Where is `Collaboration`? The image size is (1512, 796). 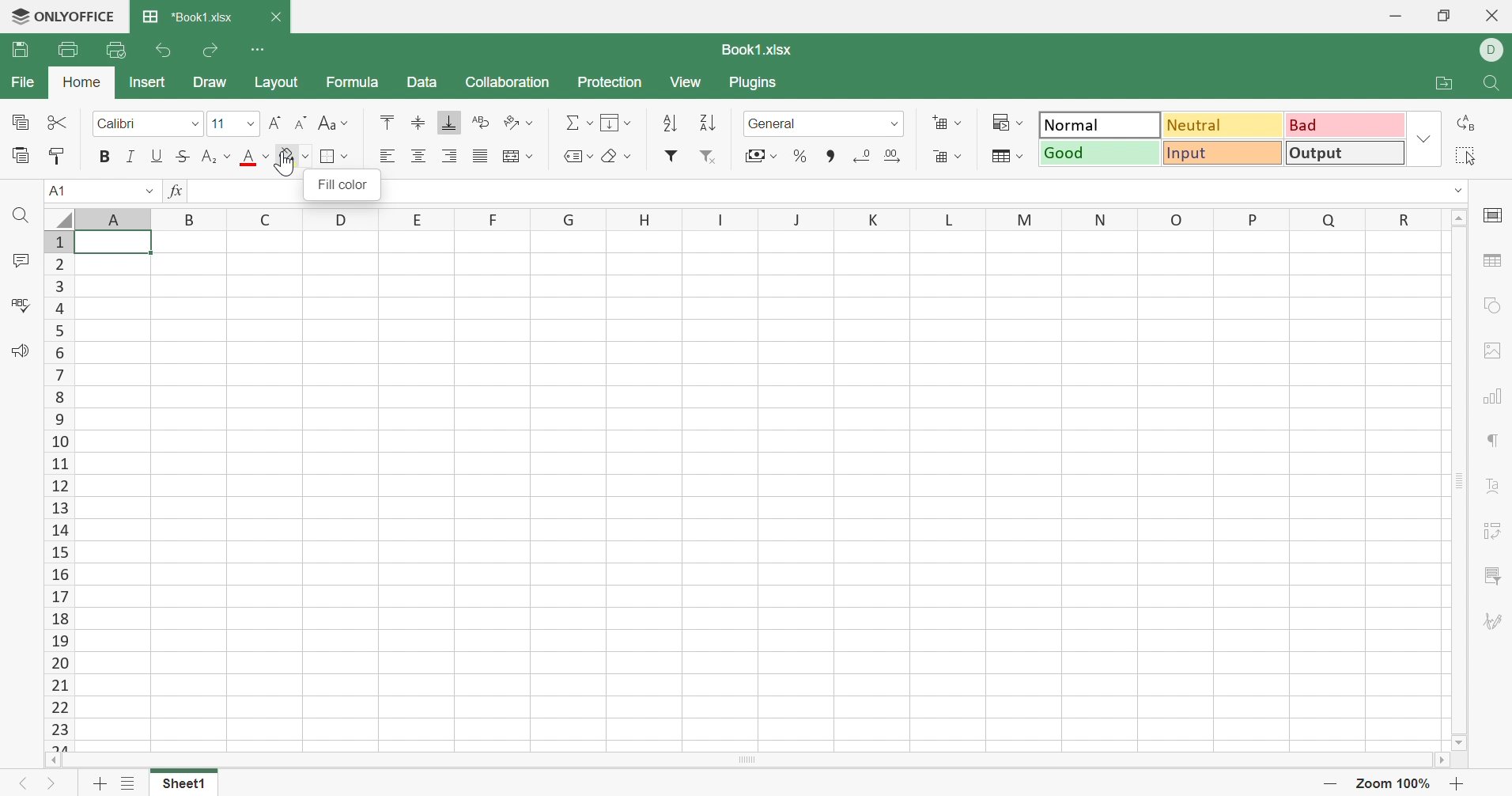 Collaboration is located at coordinates (512, 83).